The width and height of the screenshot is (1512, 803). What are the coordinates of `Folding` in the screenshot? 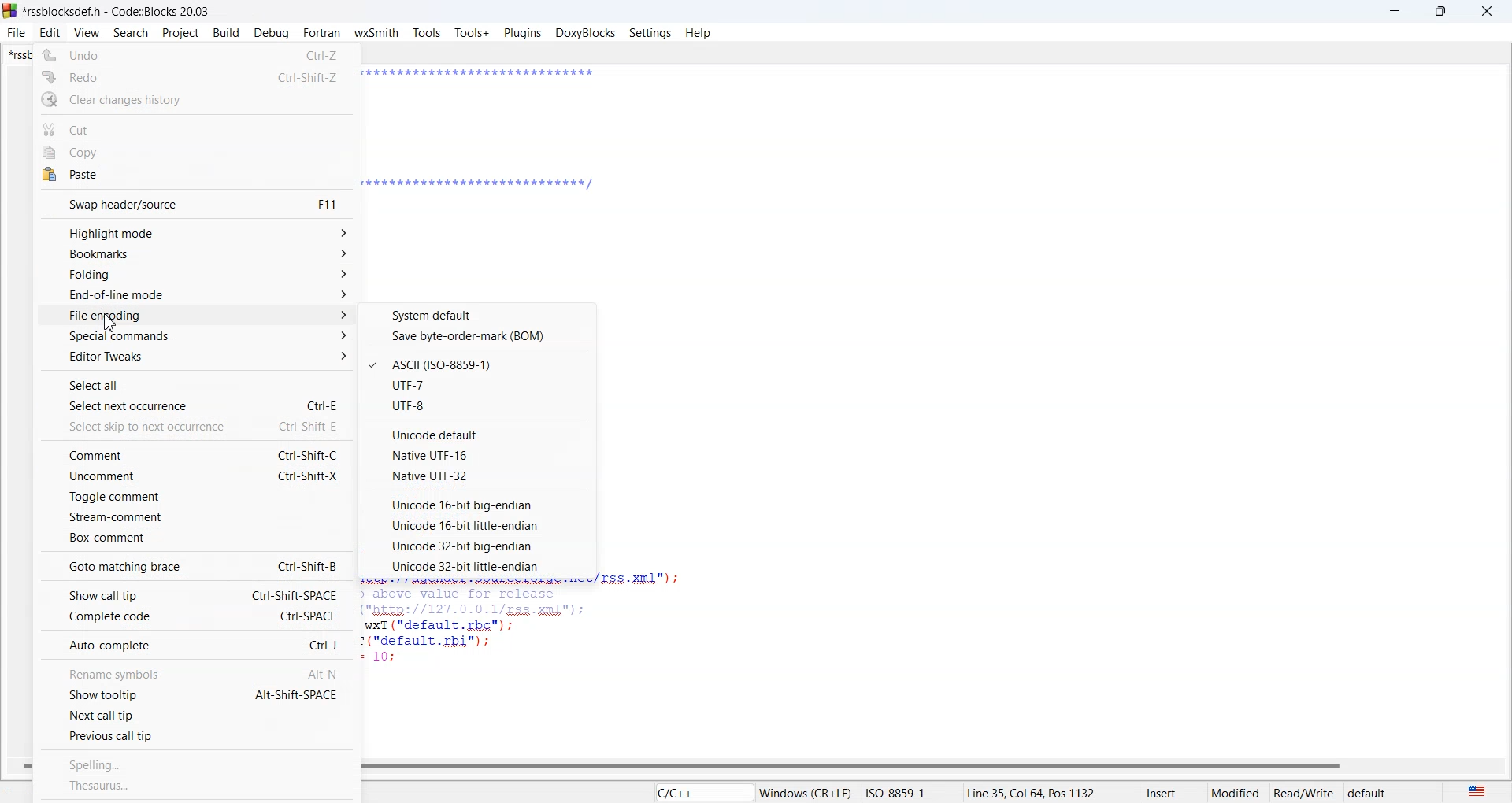 It's located at (199, 276).